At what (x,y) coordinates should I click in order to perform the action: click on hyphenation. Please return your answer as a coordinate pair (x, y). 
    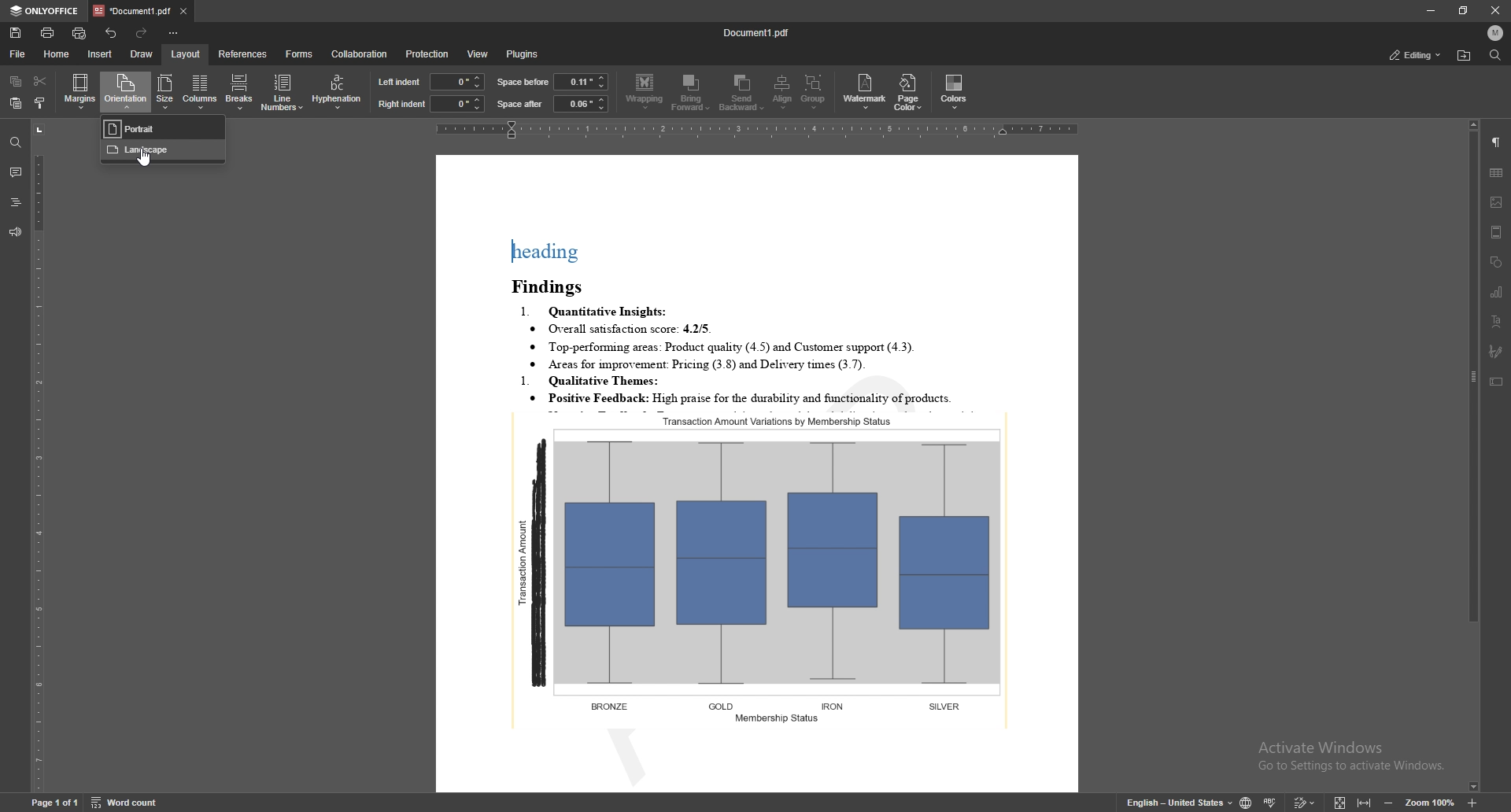
    Looking at the image, I should click on (338, 90).